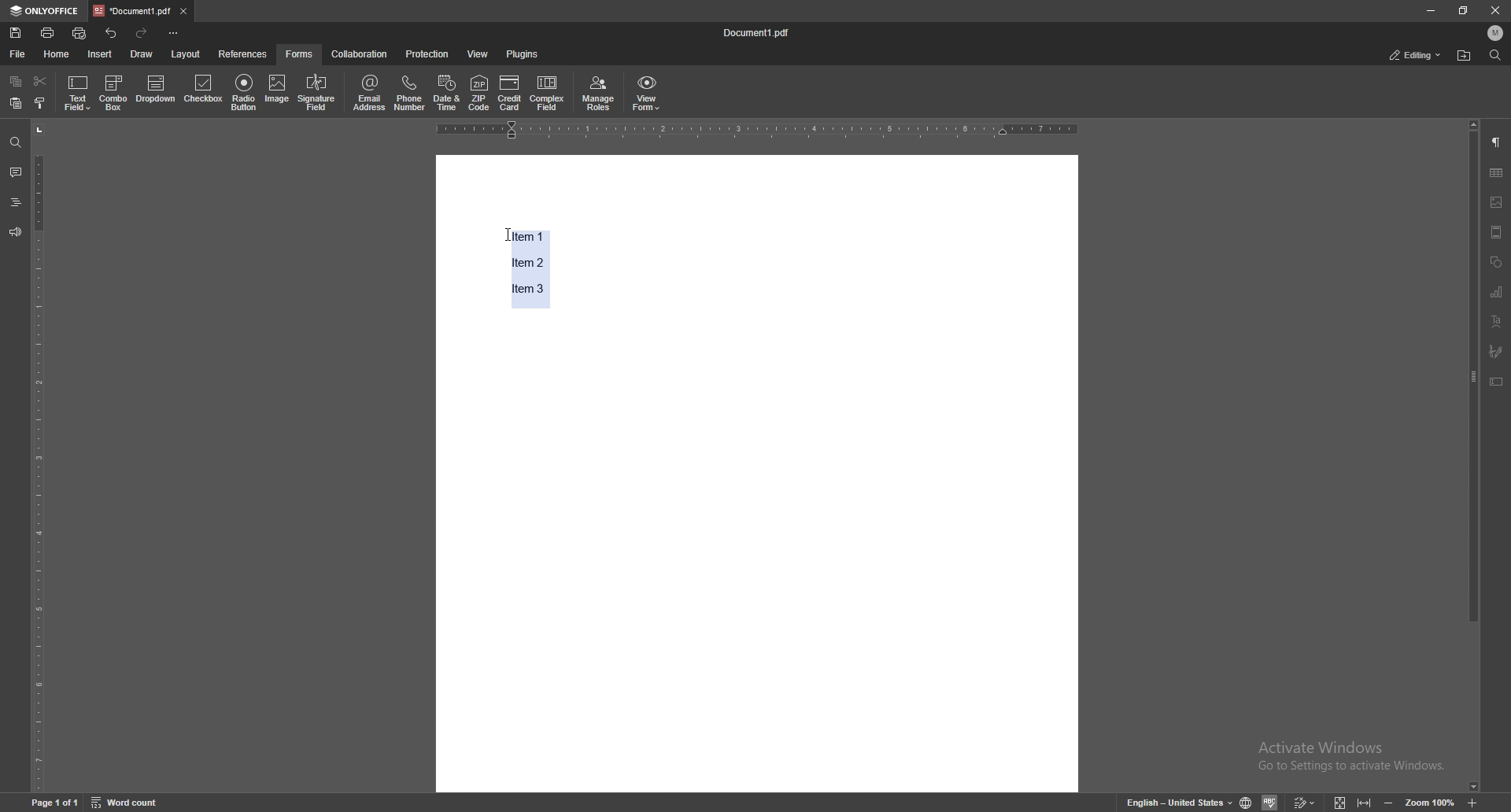  What do you see at coordinates (370, 93) in the screenshot?
I see `email address` at bounding box center [370, 93].